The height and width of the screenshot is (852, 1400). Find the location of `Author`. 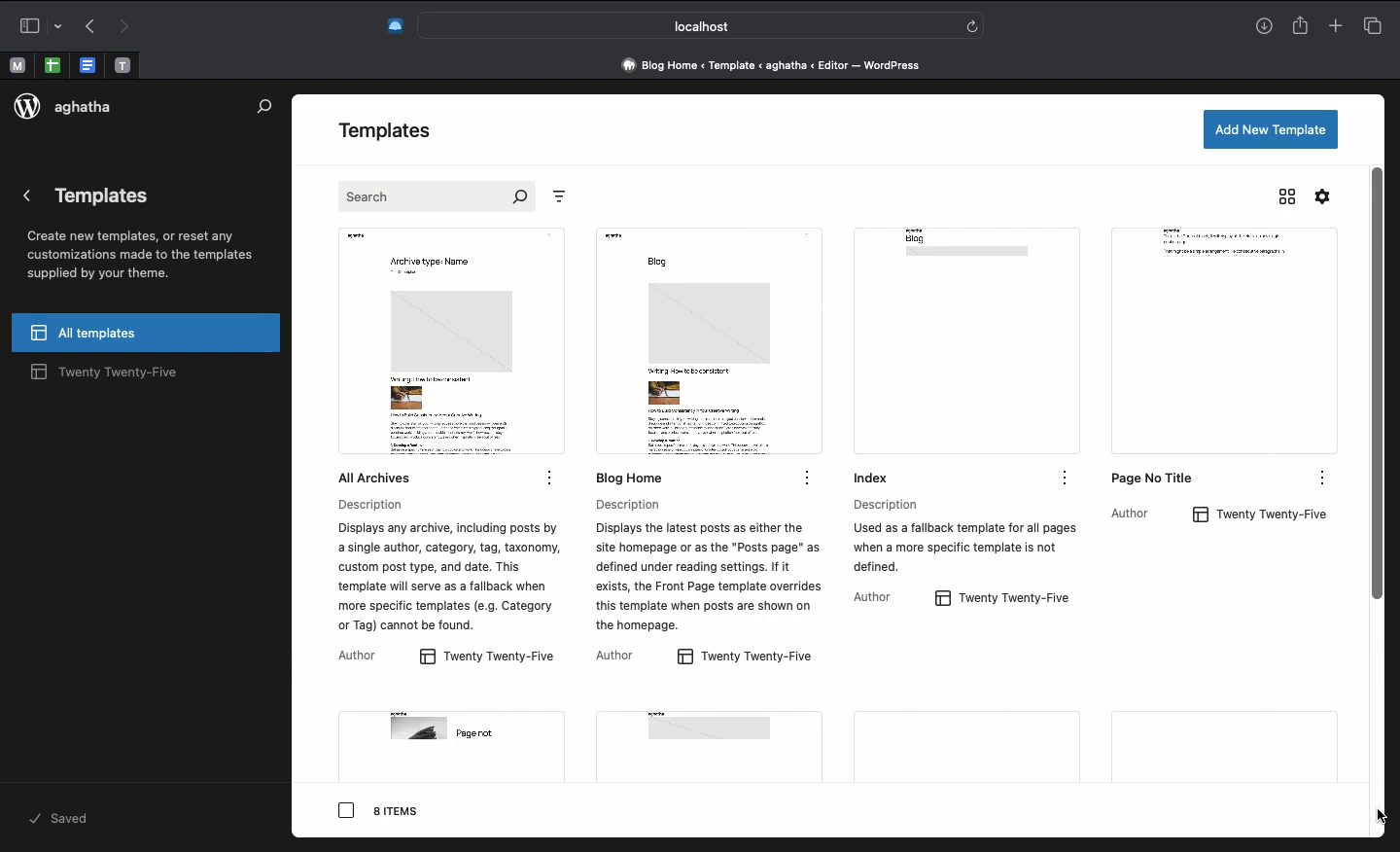

Author is located at coordinates (1133, 512).